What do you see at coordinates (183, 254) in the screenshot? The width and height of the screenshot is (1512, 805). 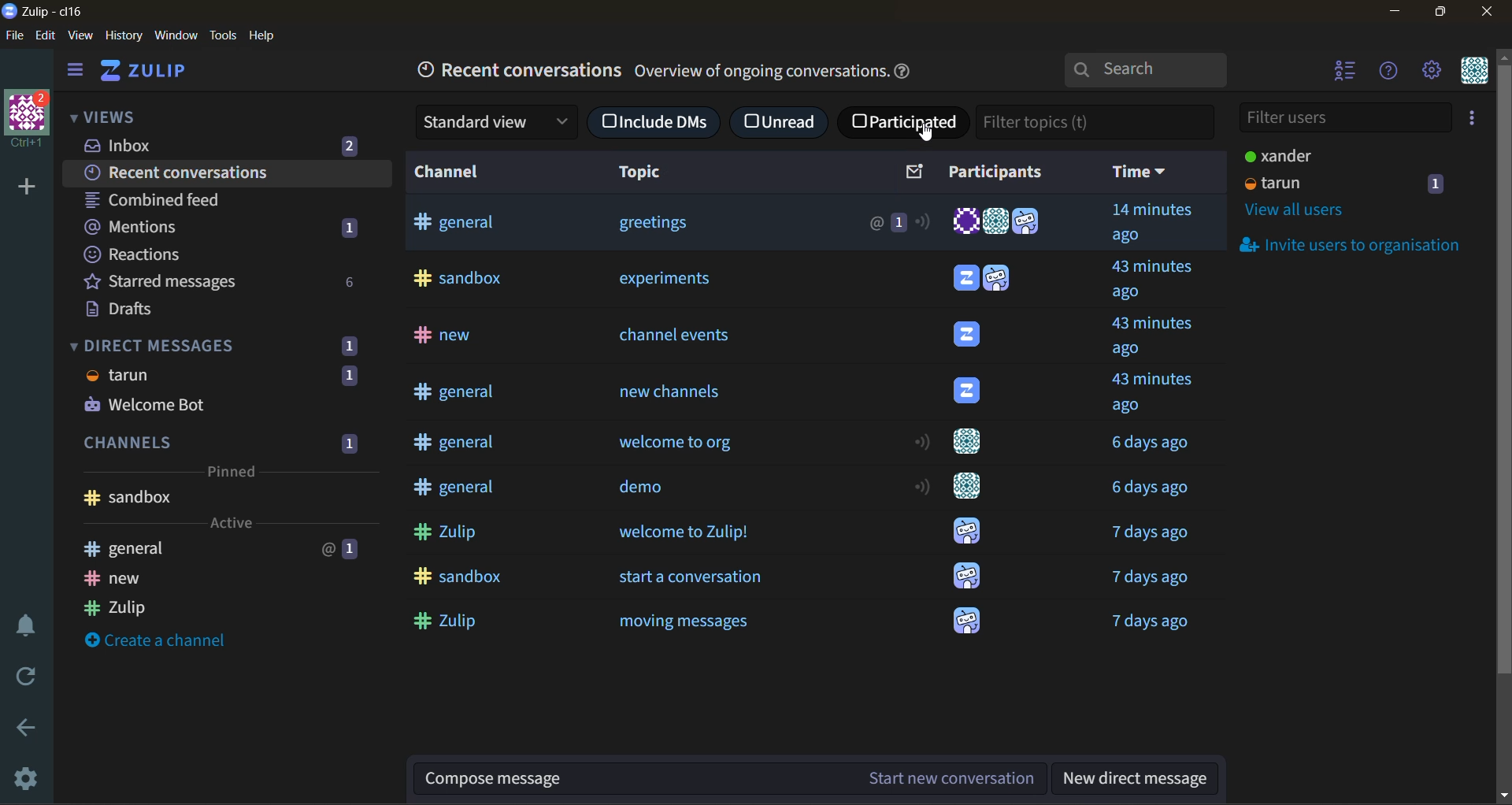 I see `reactions` at bounding box center [183, 254].